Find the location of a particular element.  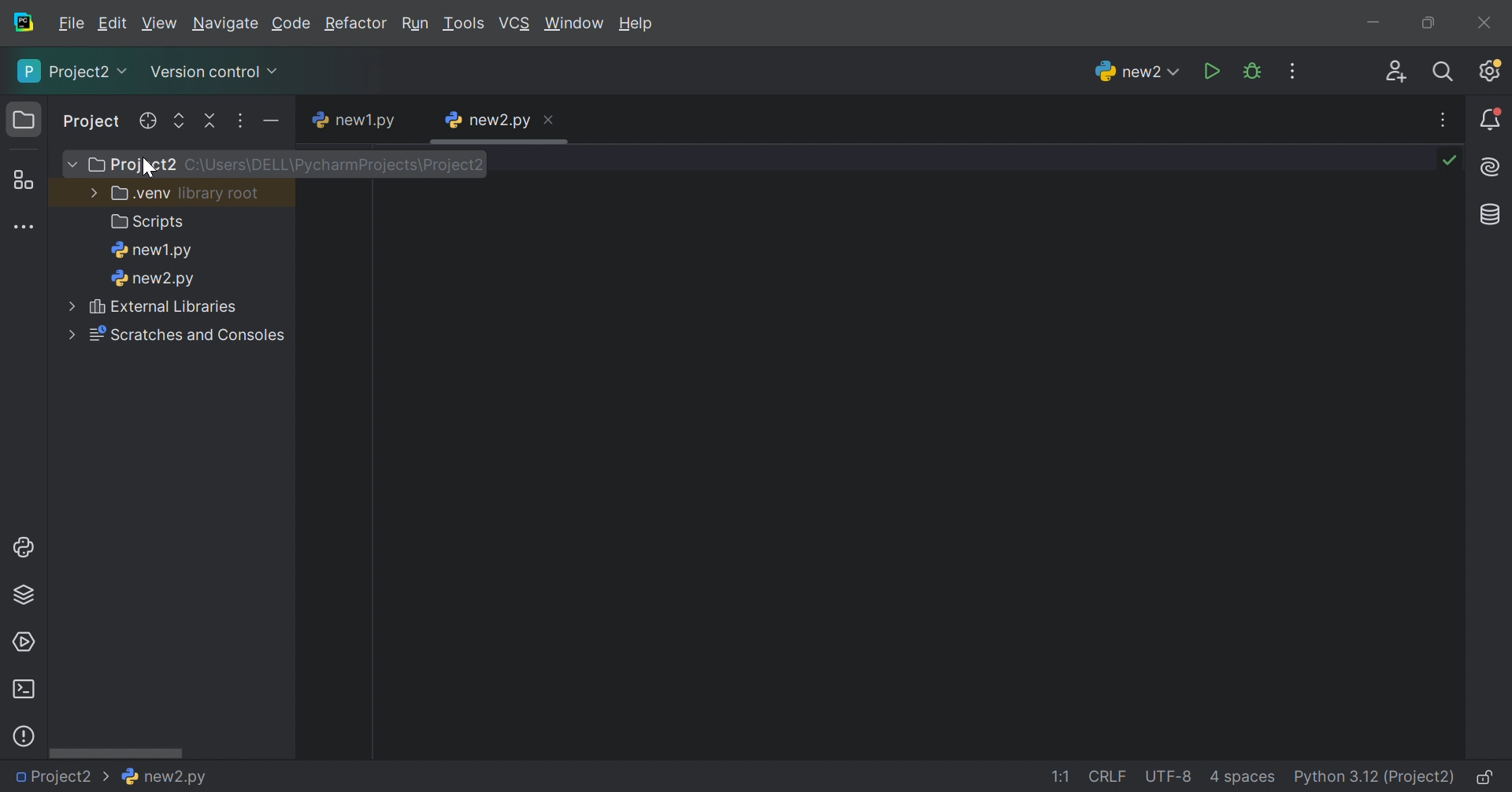

Terminal is located at coordinates (24, 690).